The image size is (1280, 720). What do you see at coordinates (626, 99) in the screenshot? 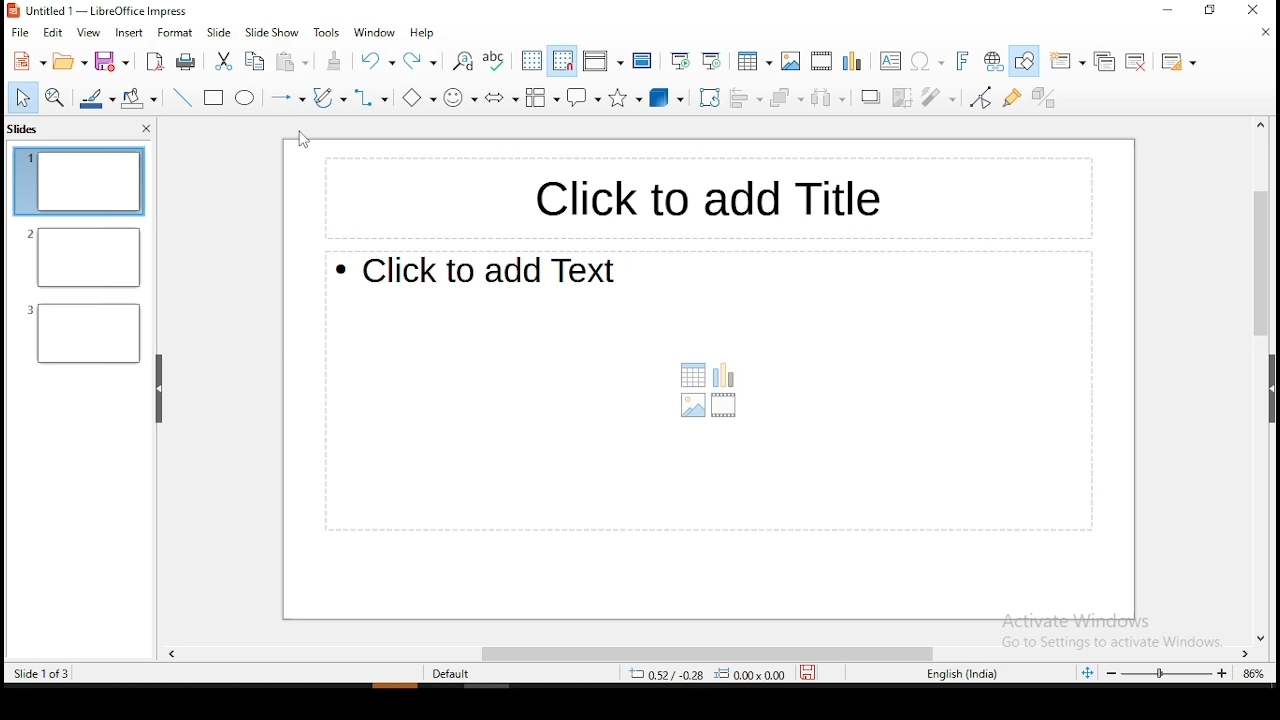
I see `stars and banners` at bounding box center [626, 99].